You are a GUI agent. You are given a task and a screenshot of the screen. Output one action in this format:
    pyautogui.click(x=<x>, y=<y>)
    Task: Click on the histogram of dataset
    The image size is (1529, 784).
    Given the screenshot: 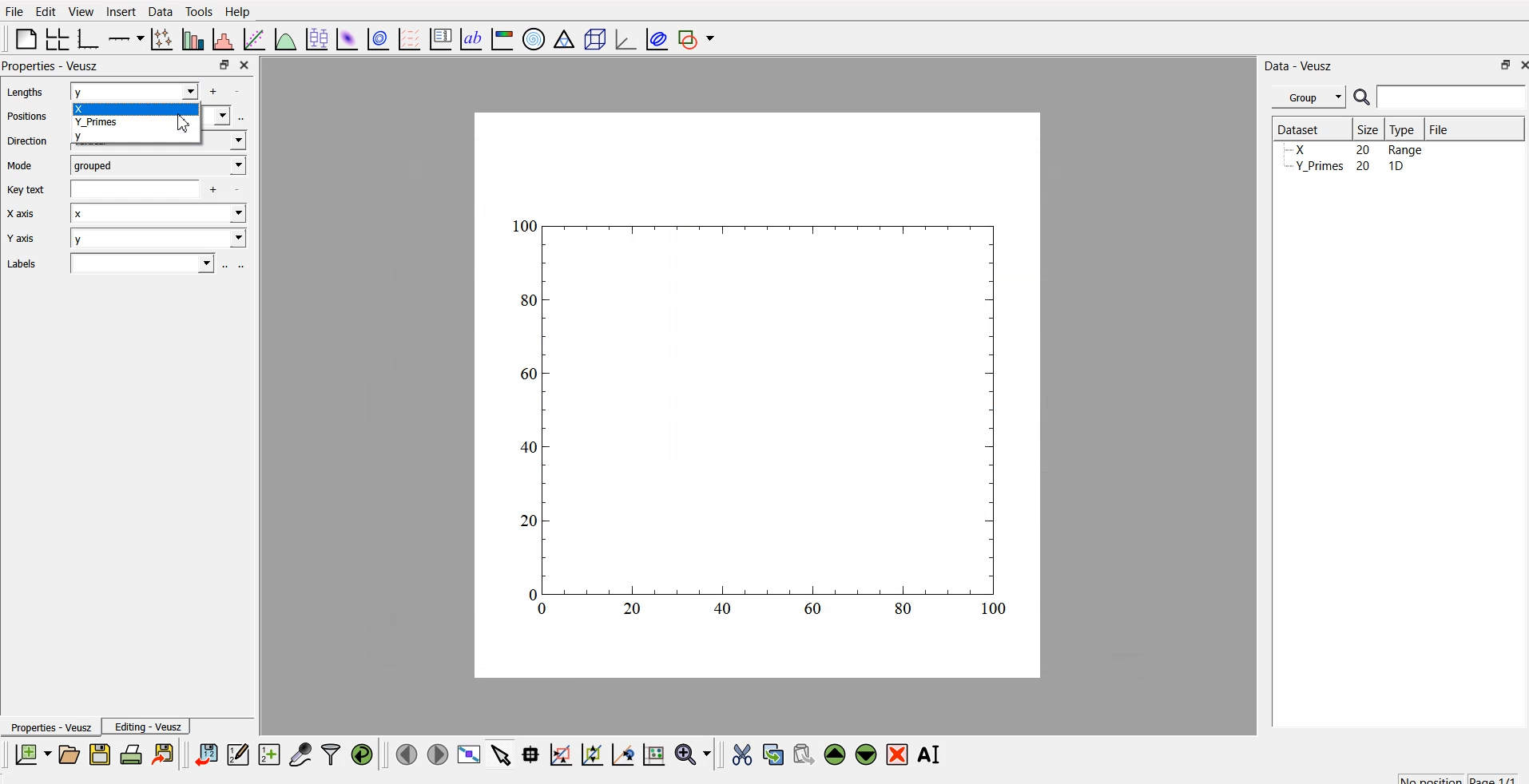 What is the action you would take?
    pyautogui.click(x=222, y=40)
    